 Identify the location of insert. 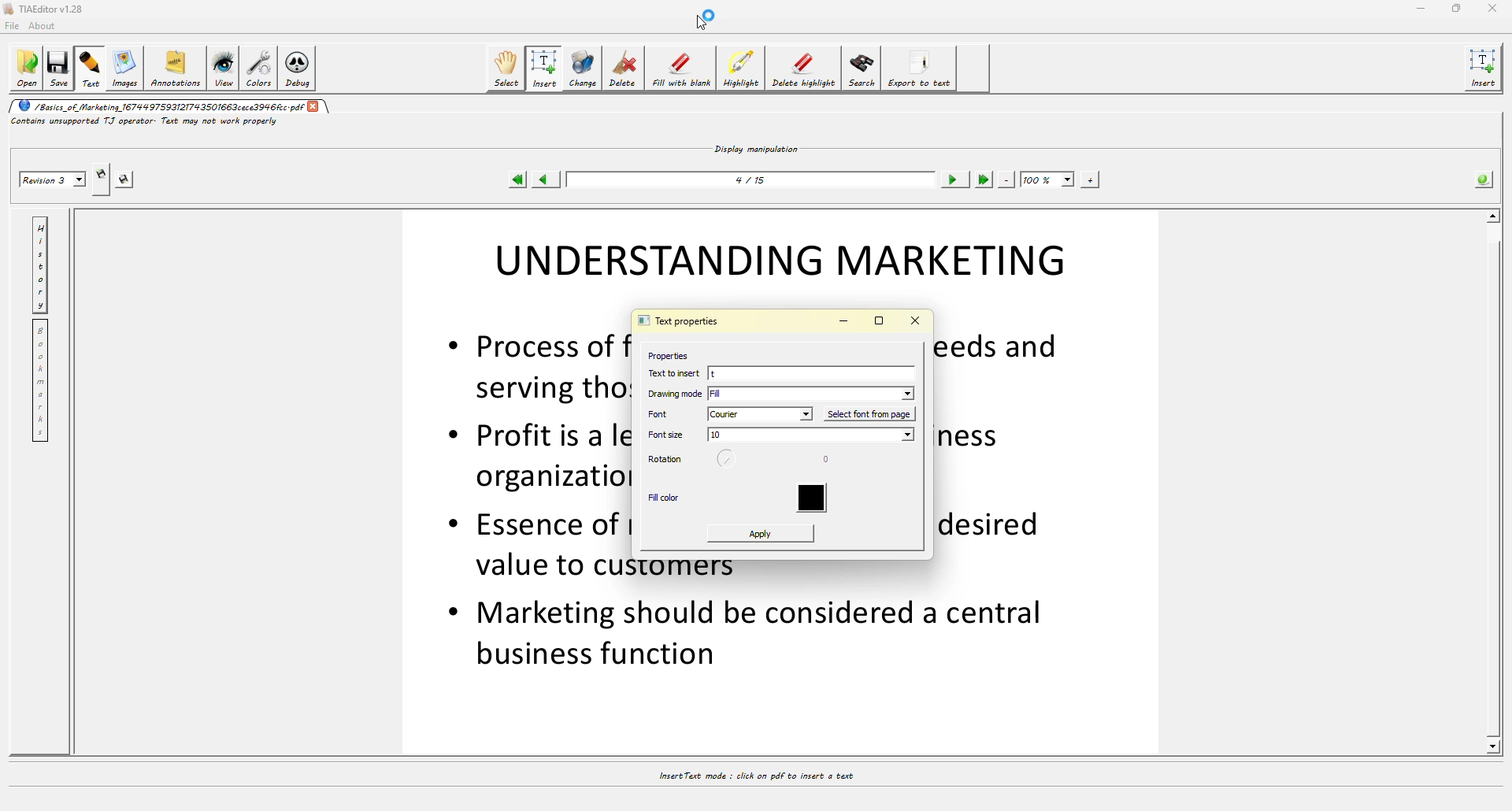
(1485, 69).